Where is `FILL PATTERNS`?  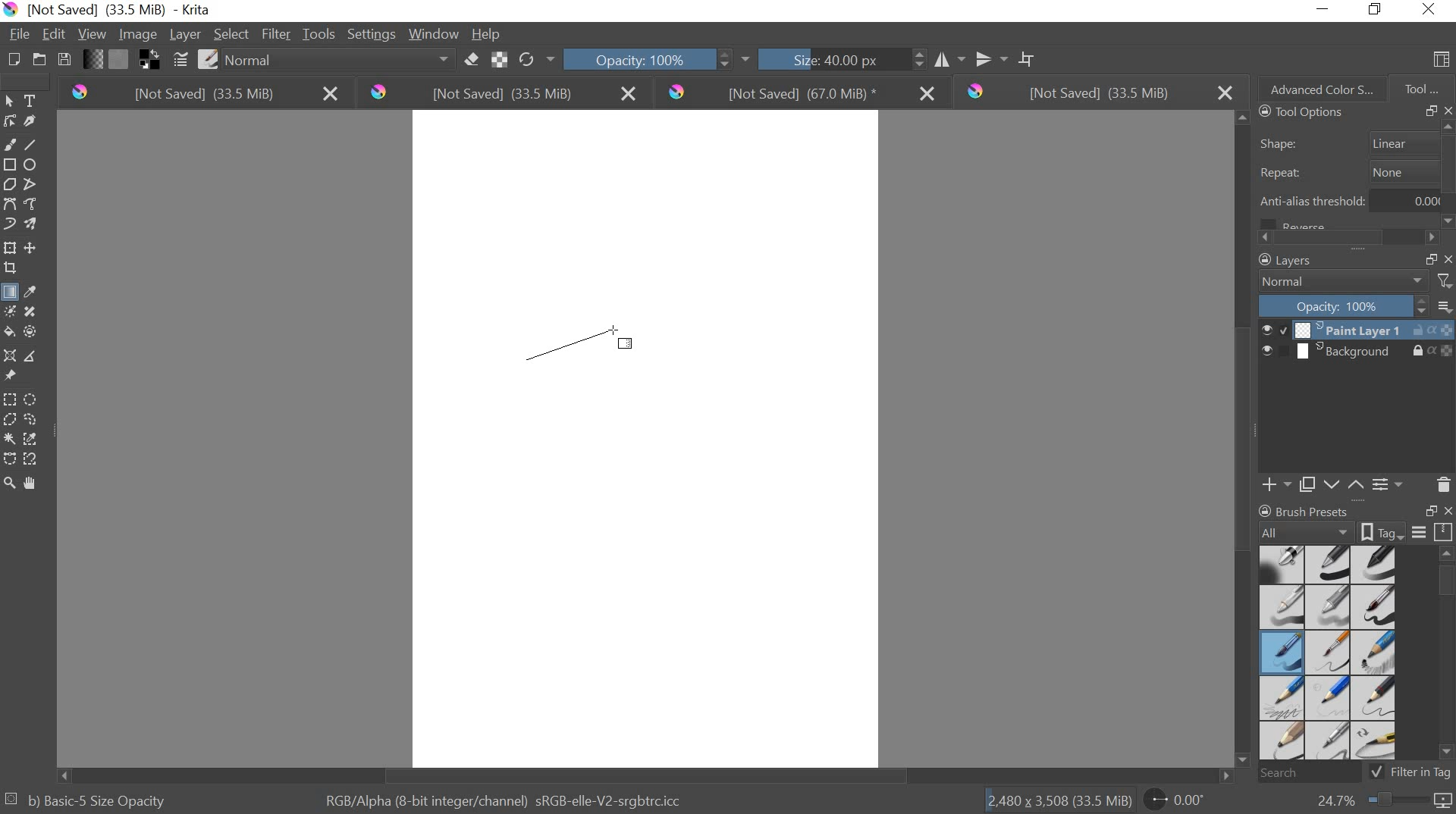
FILL PATTERNS is located at coordinates (122, 58).